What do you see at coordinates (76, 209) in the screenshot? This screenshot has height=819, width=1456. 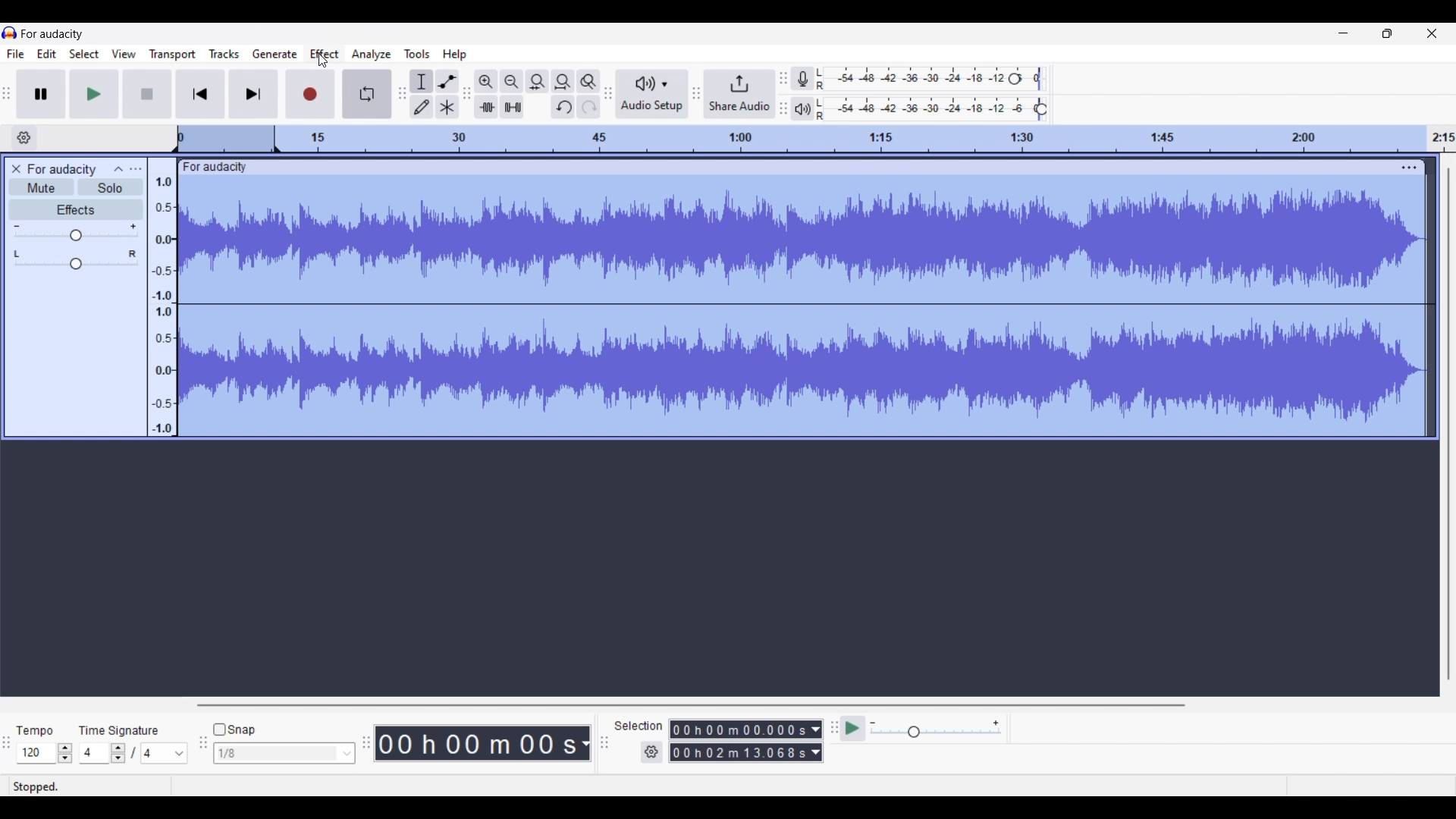 I see `Effects` at bounding box center [76, 209].